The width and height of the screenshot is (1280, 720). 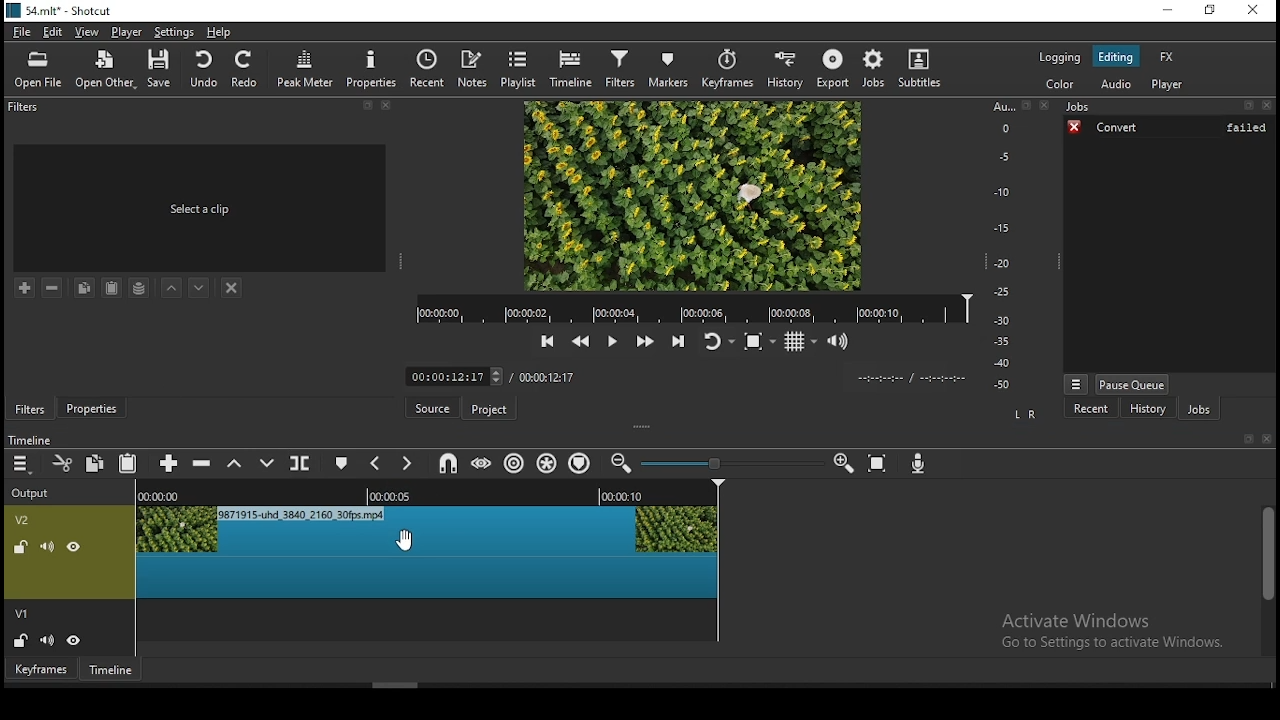 What do you see at coordinates (831, 68) in the screenshot?
I see `export` at bounding box center [831, 68].